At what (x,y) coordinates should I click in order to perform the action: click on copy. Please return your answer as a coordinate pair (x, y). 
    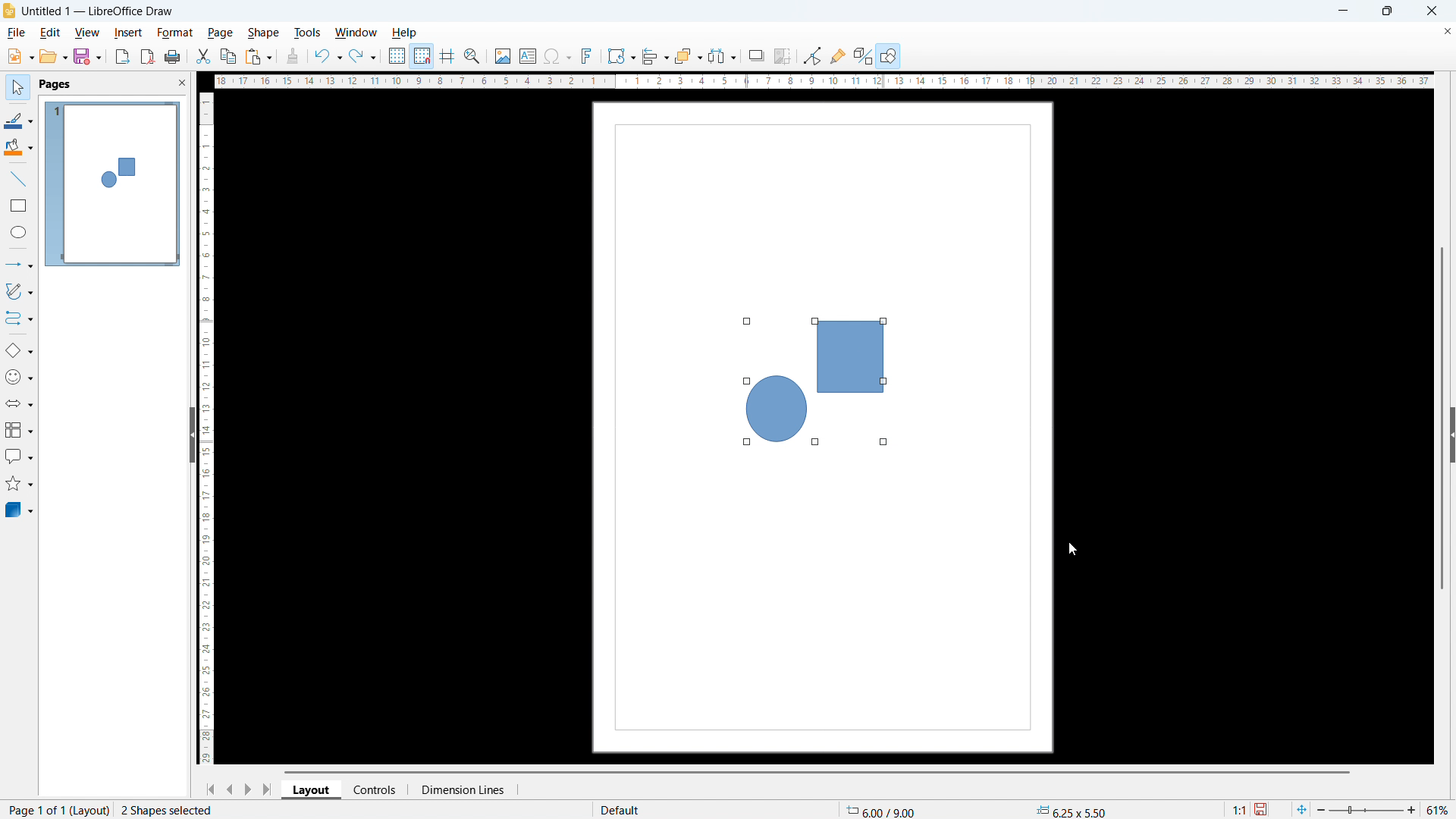
    Looking at the image, I should click on (229, 56).